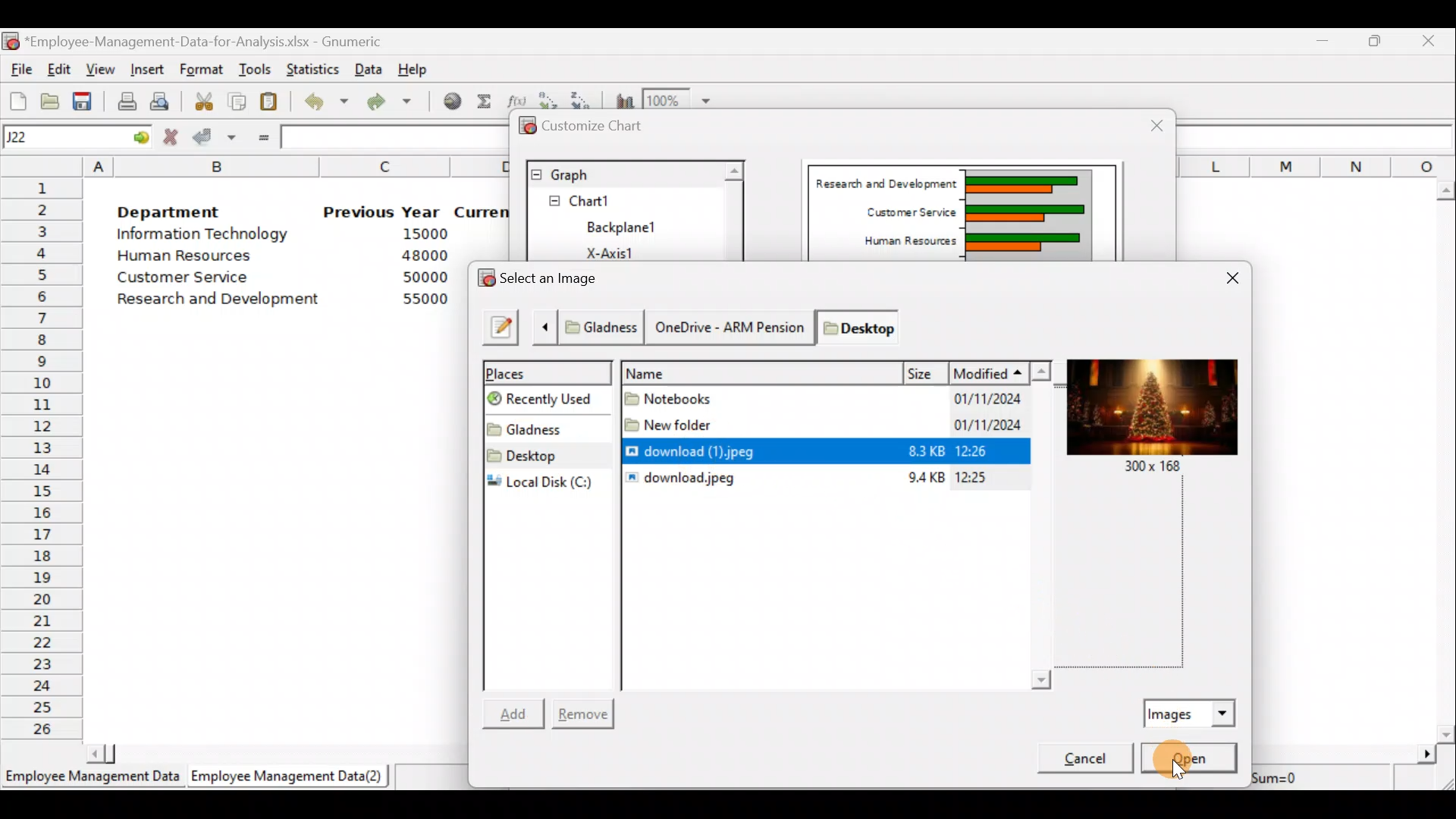 The height and width of the screenshot is (819, 1456). I want to click on Folder, so click(542, 426).